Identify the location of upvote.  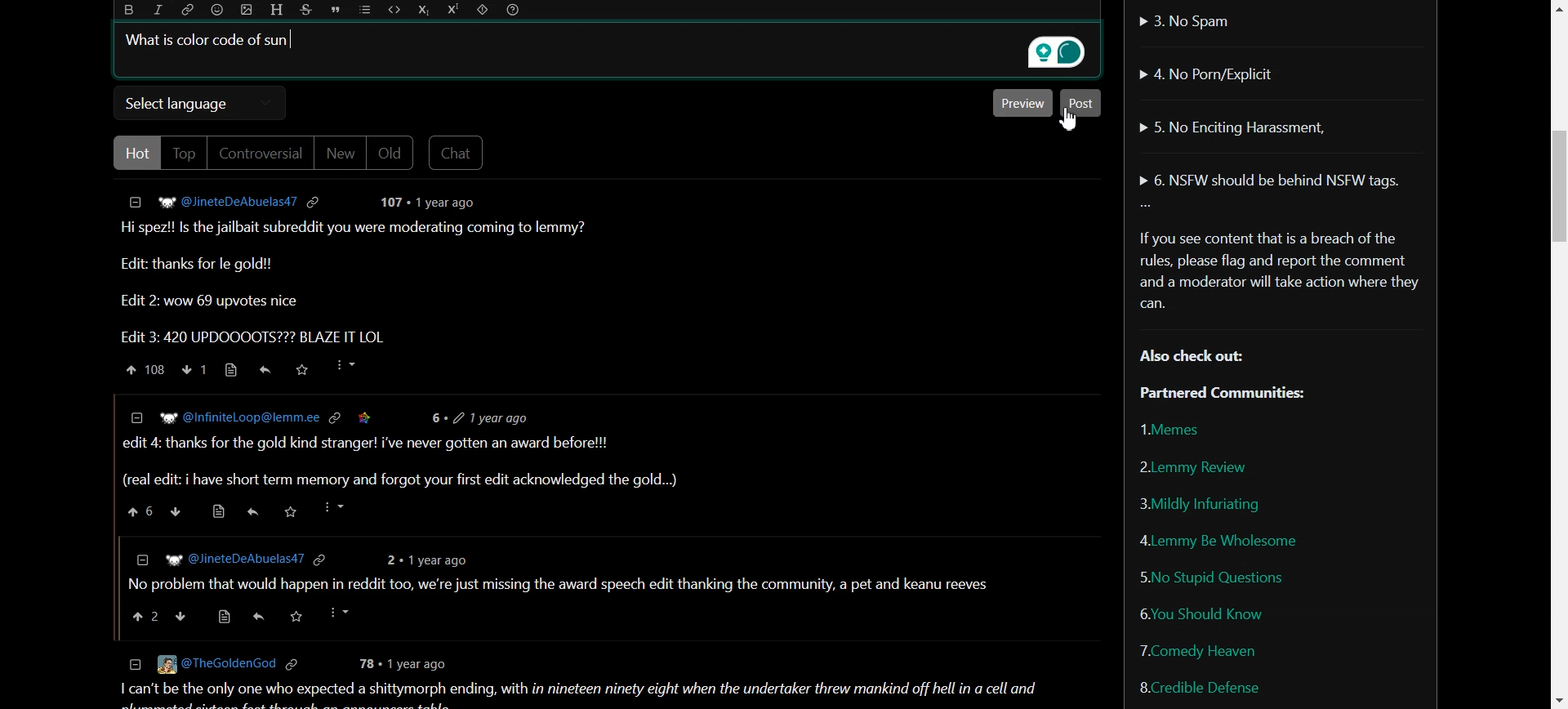
(146, 618).